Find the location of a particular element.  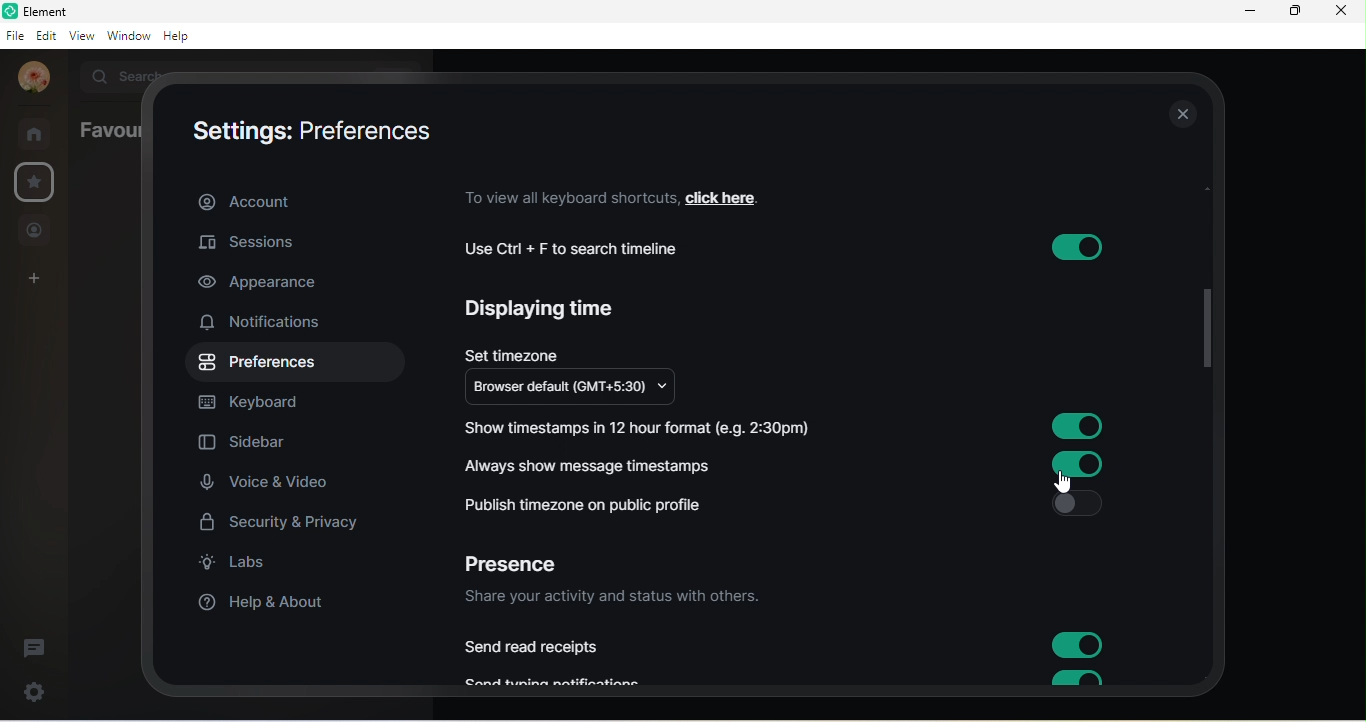

preference is located at coordinates (260, 364).